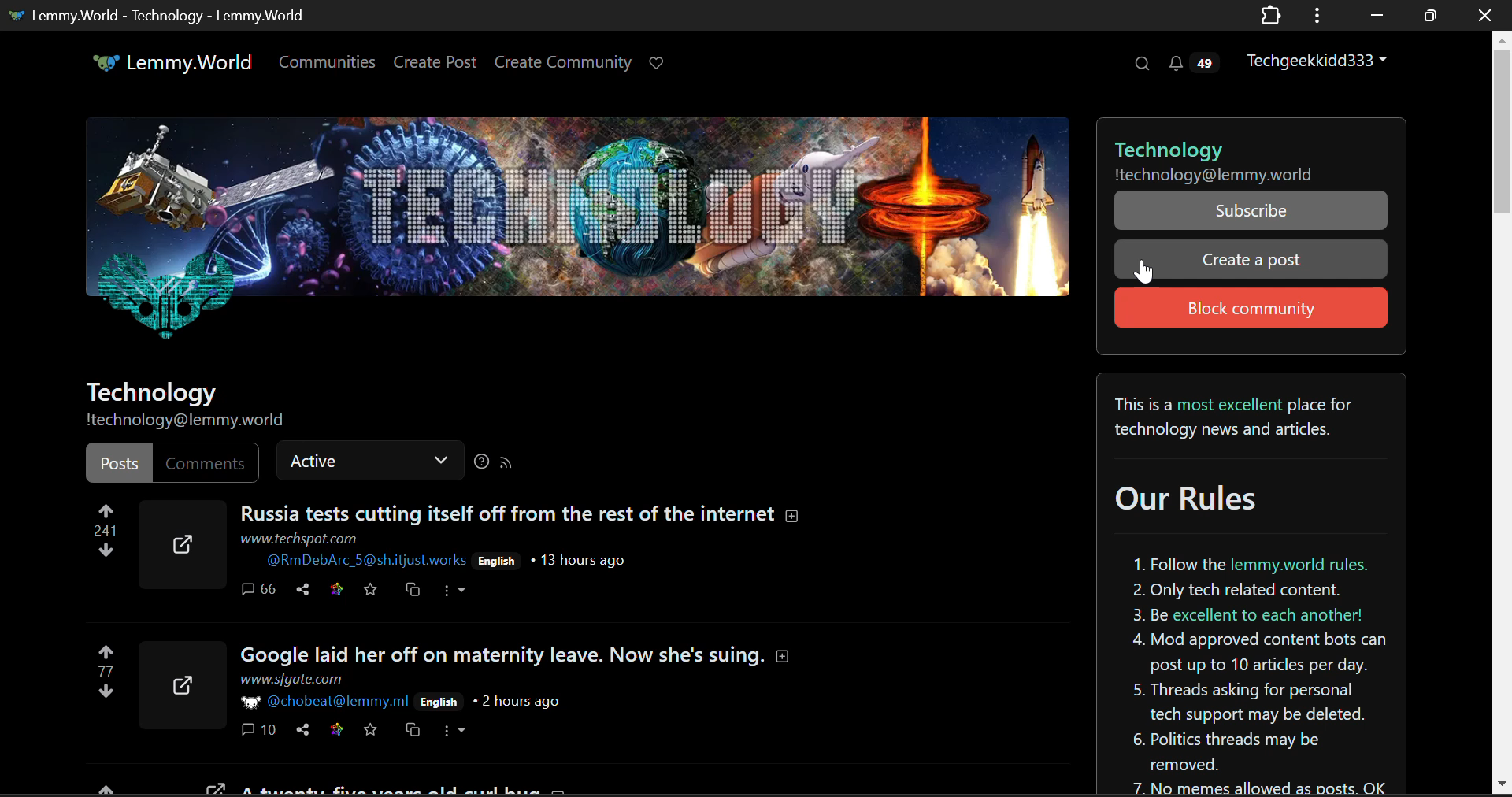 The height and width of the screenshot is (797, 1512). I want to click on Donate to Lemmy, so click(658, 65).